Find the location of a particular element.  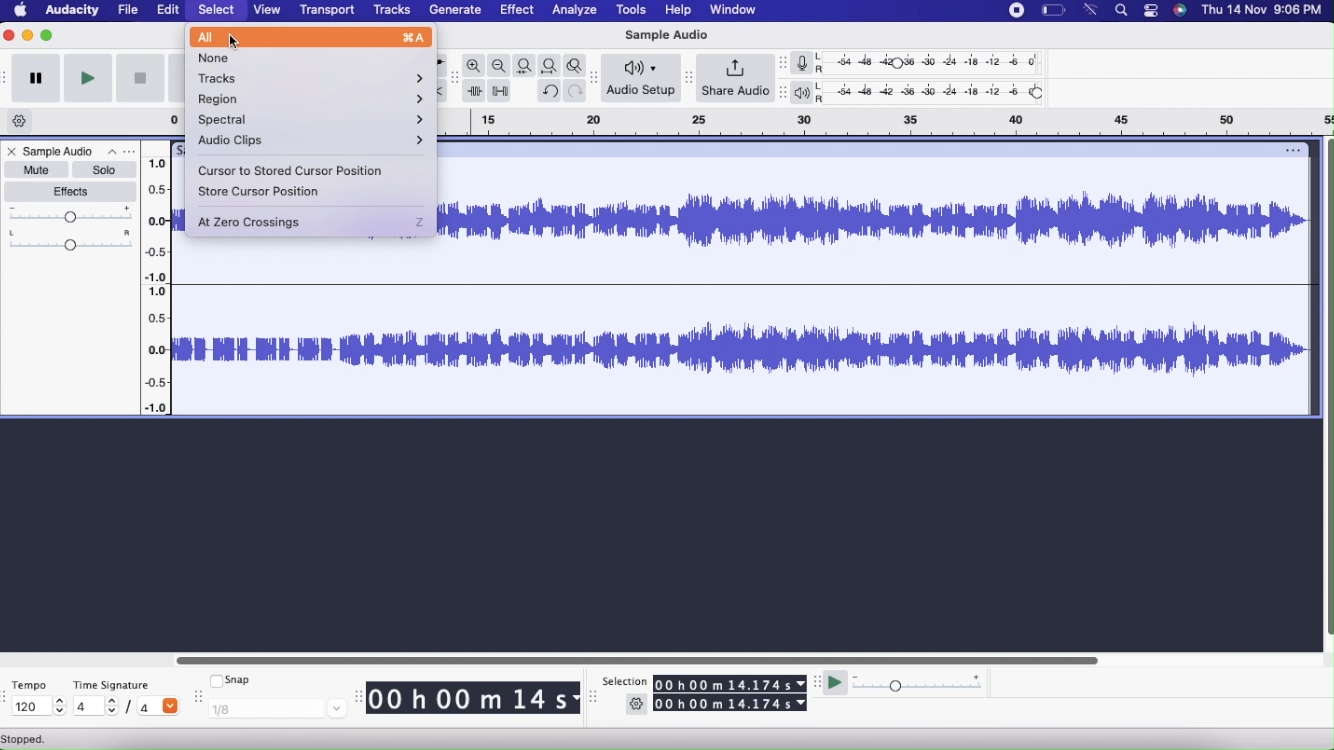

Select is located at coordinates (219, 11).